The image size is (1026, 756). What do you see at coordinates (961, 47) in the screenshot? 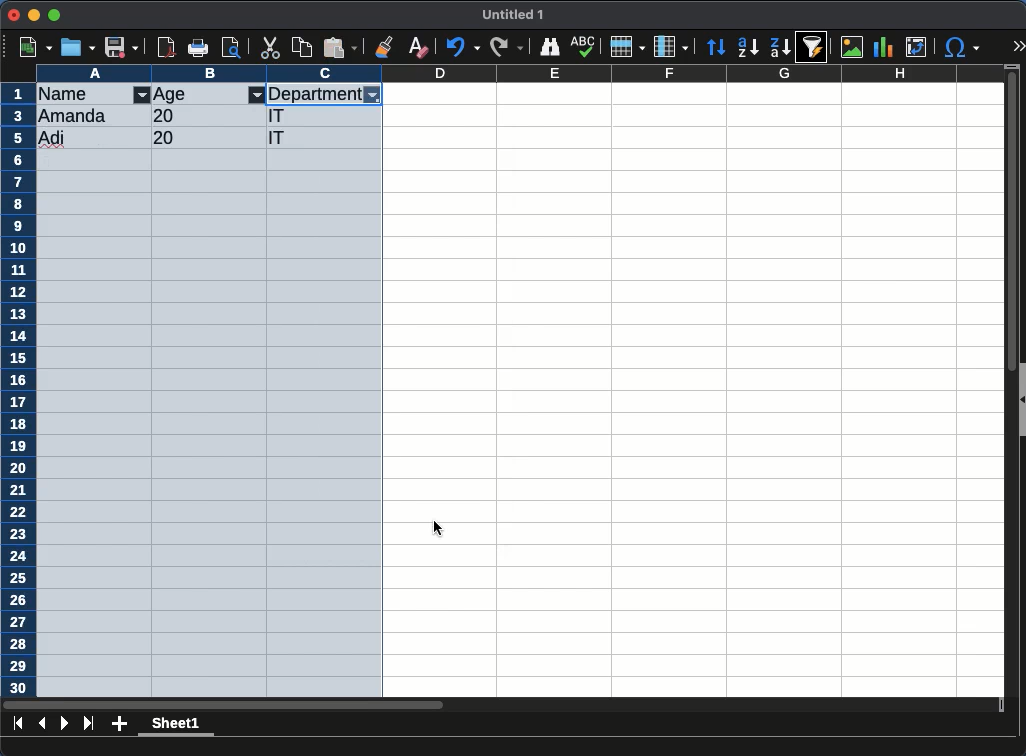
I see `special character` at bounding box center [961, 47].